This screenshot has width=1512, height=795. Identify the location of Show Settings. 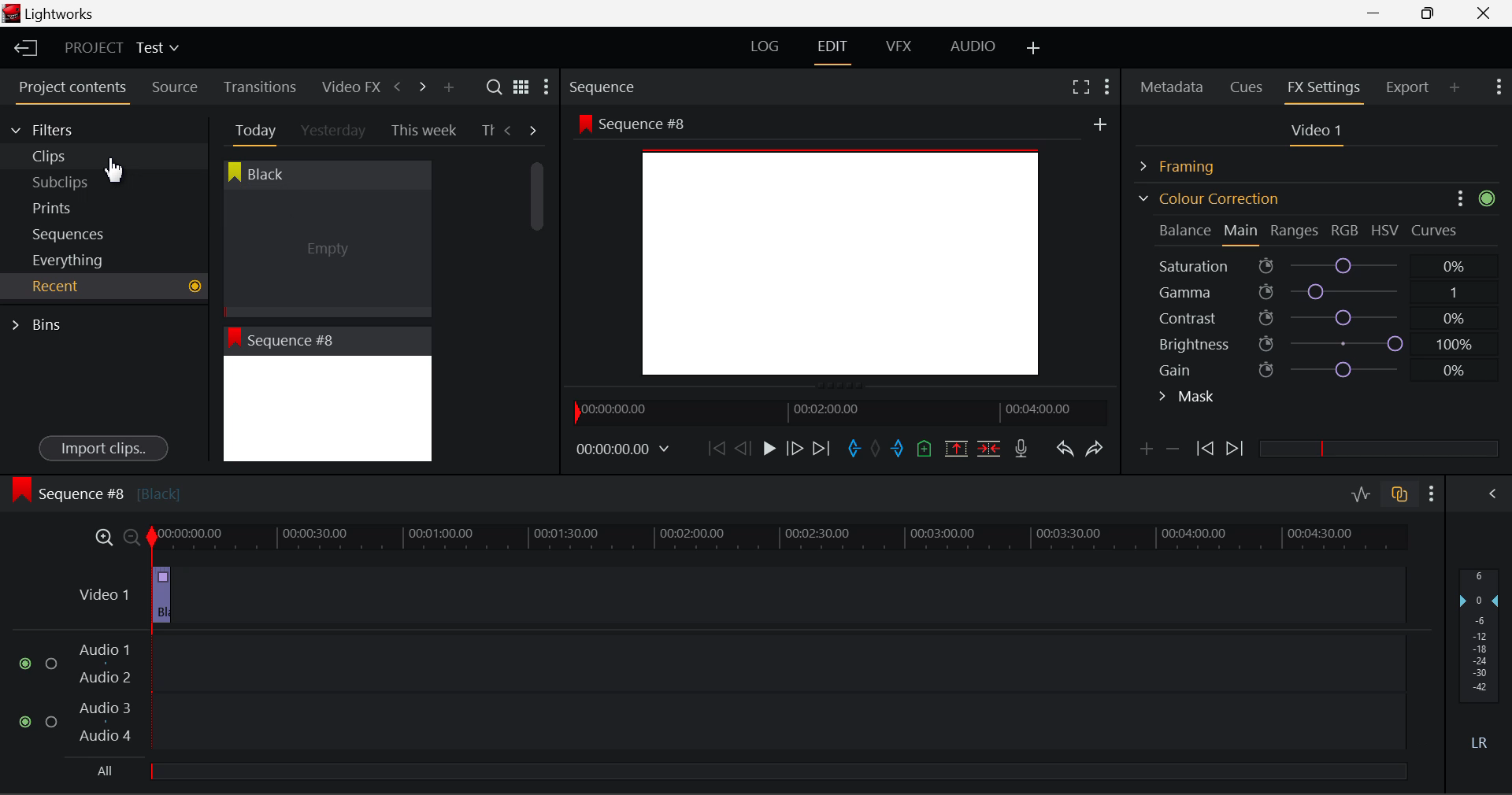
(545, 91).